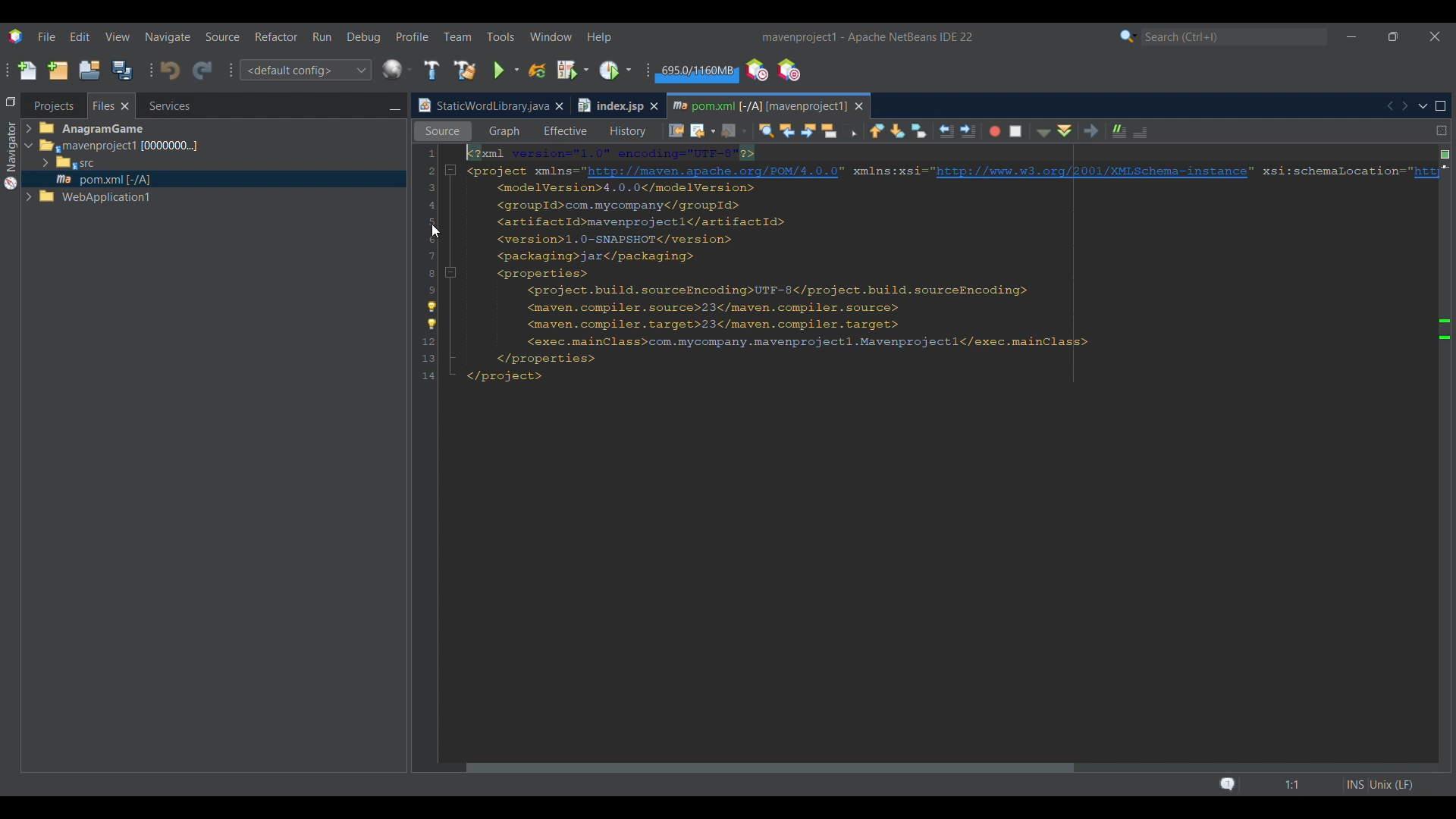 The height and width of the screenshot is (819, 1456). Describe the element at coordinates (322, 36) in the screenshot. I see `Run menu` at that location.